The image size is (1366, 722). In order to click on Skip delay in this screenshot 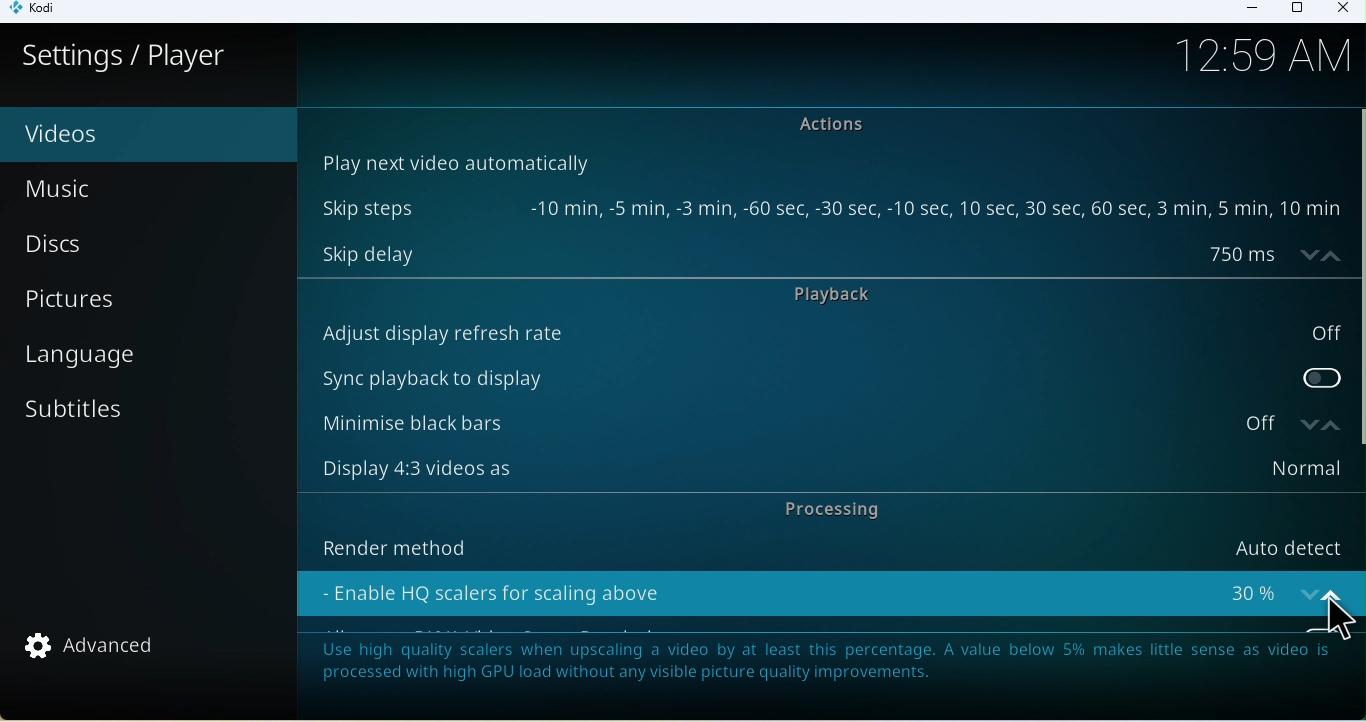, I will do `click(798, 253)`.